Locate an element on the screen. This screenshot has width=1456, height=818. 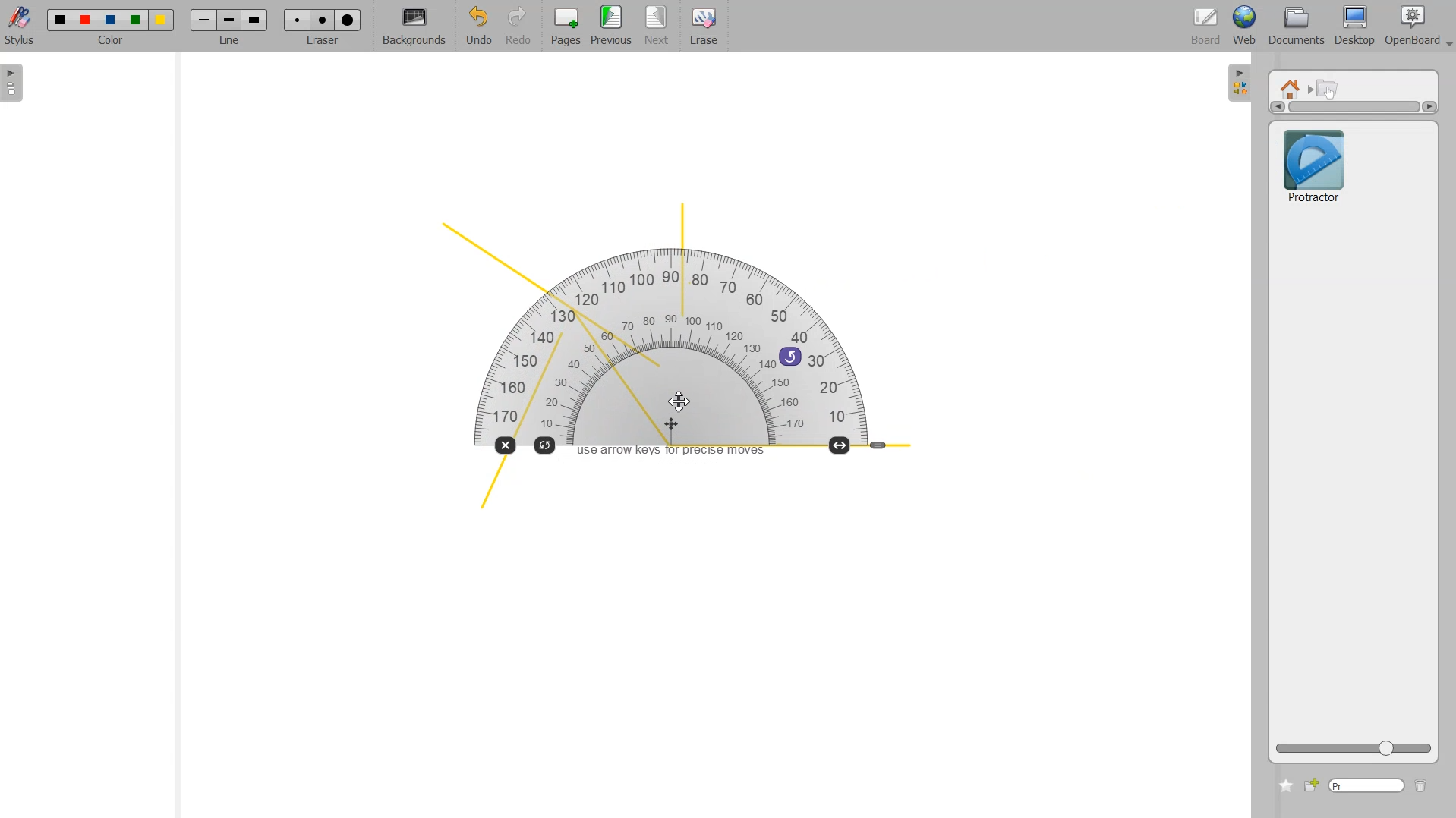
Open Board is located at coordinates (1418, 27).